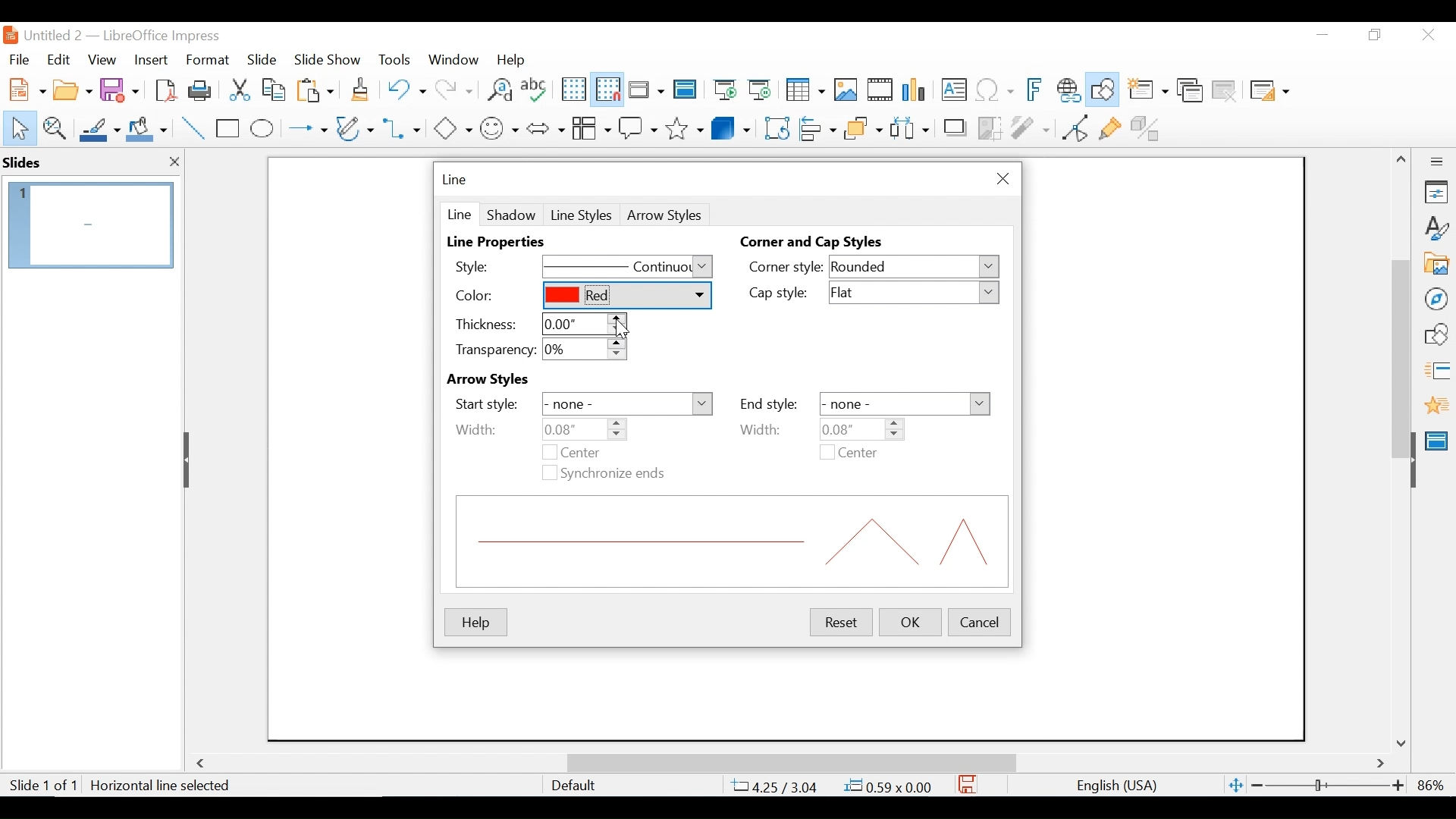 The width and height of the screenshot is (1456, 819). Describe the element at coordinates (1437, 405) in the screenshot. I see `Animation` at that location.